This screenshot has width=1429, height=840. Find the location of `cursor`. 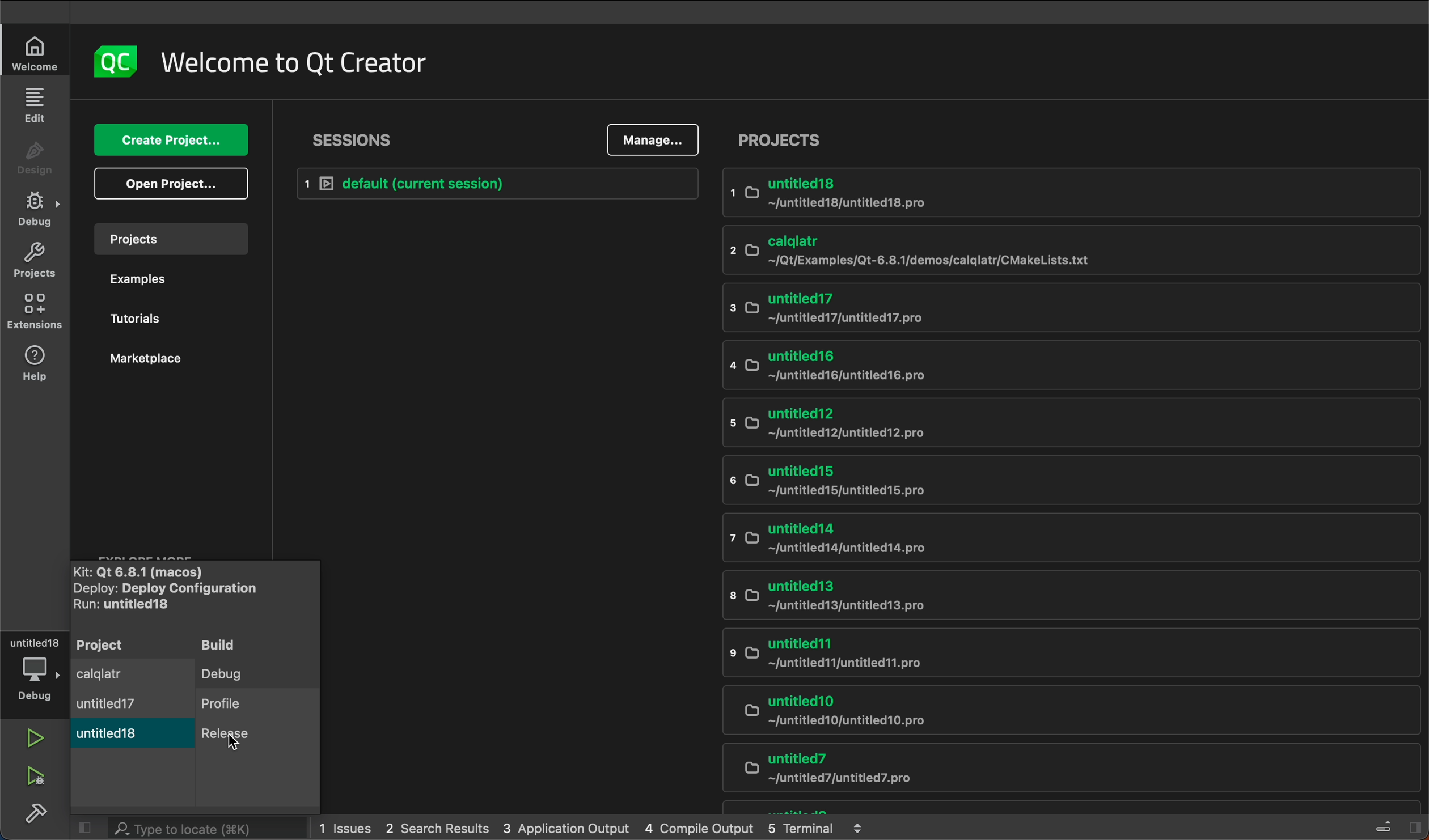

cursor is located at coordinates (234, 743).